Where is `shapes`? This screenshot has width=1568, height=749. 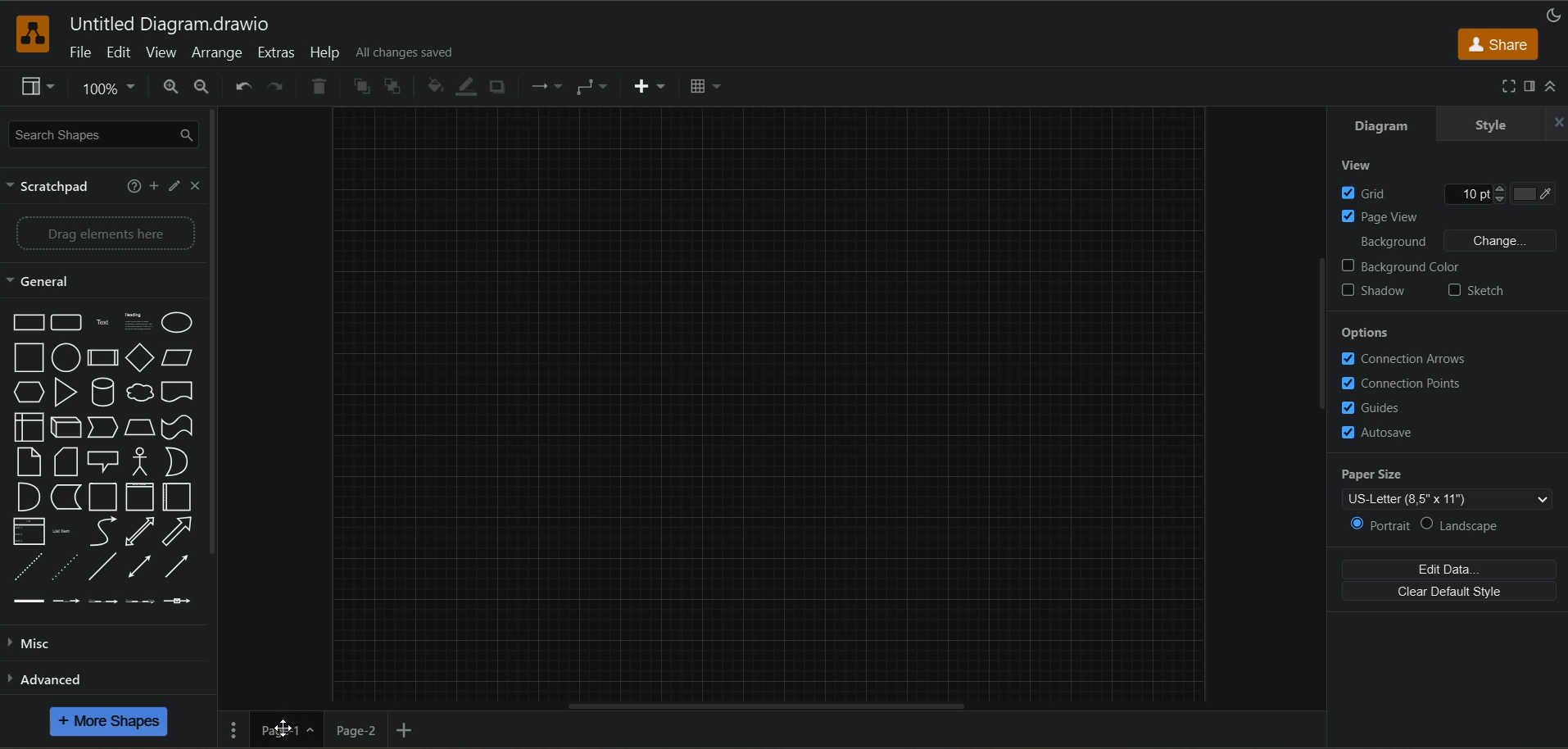 shapes is located at coordinates (104, 458).